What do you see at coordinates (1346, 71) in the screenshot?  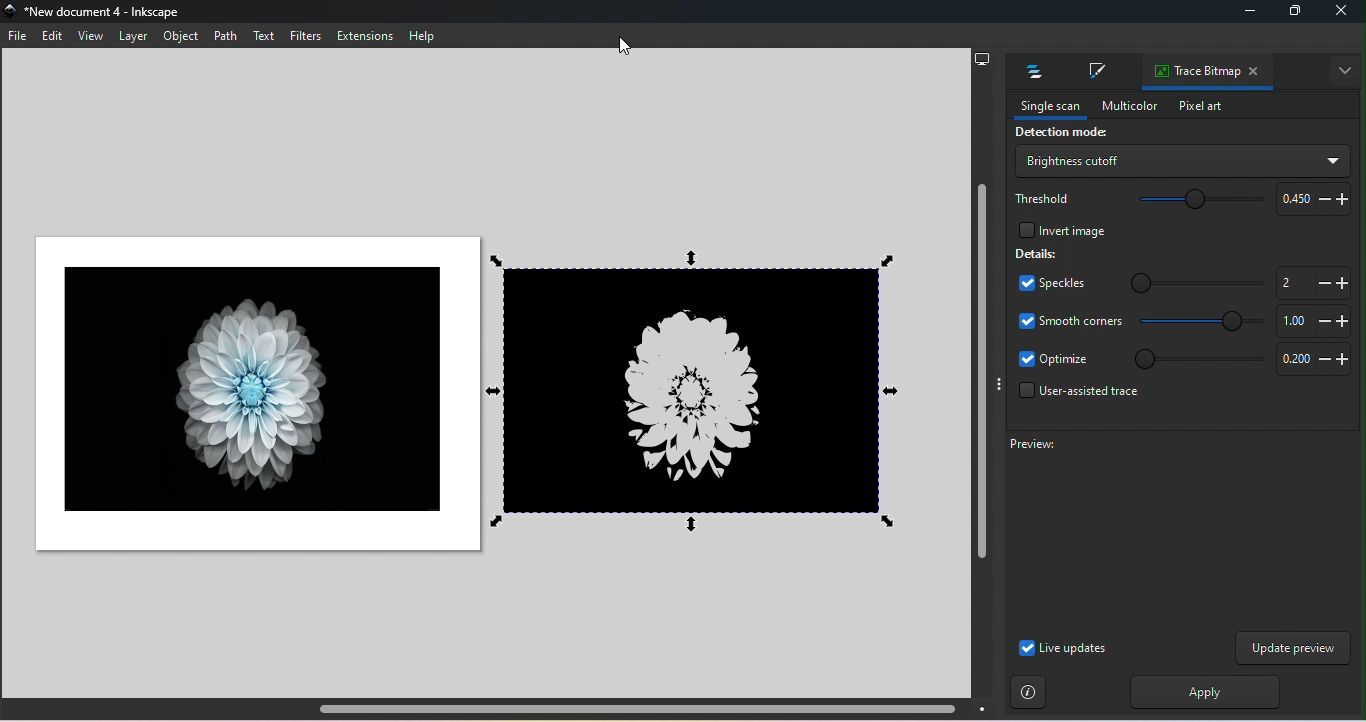 I see `Toggle display options` at bounding box center [1346, 71].